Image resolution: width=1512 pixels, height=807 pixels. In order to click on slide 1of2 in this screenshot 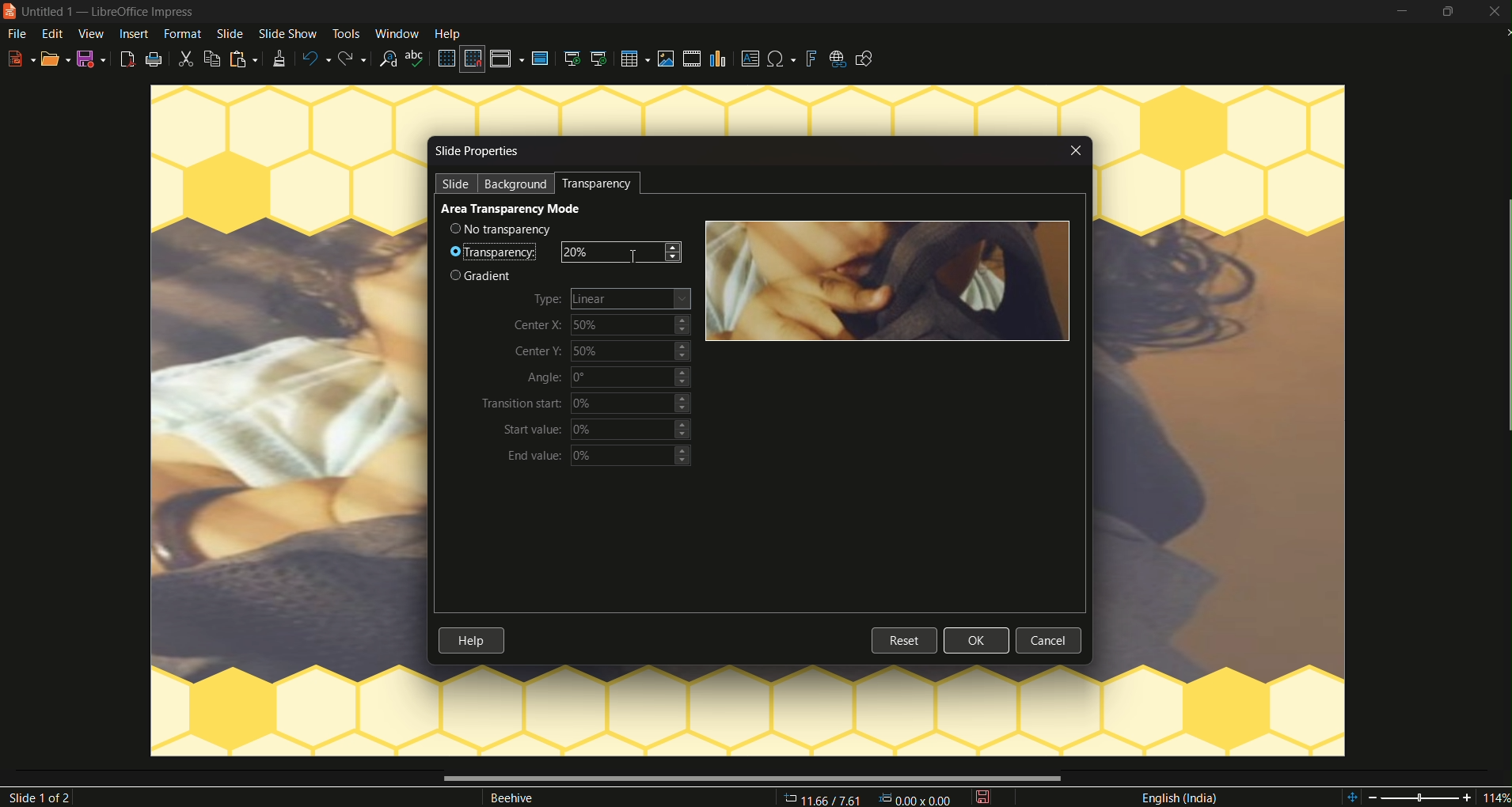, I will do `click(44, 798)`.